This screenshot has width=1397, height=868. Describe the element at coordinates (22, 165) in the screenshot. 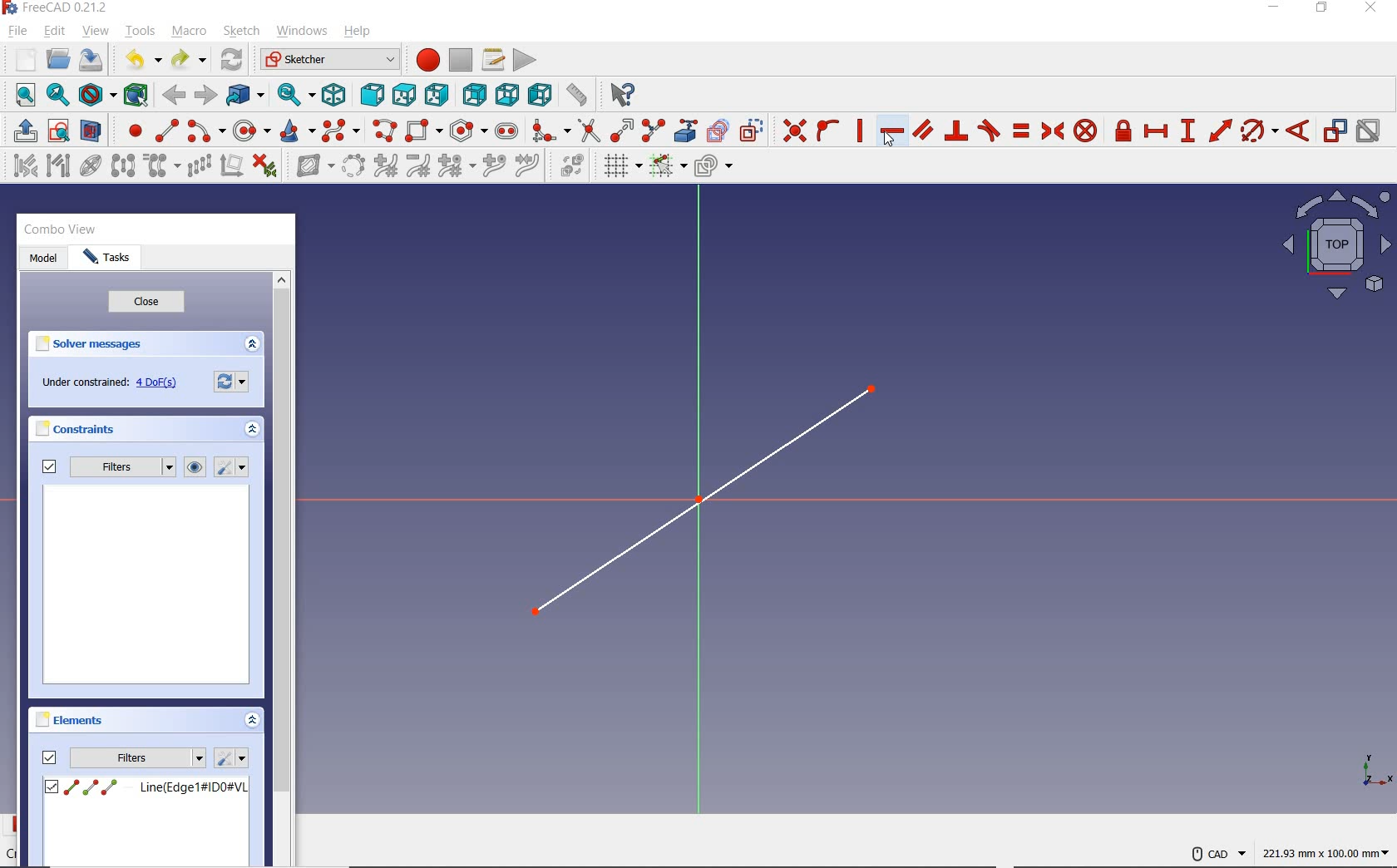

I see `SELECT ASSOCIATED CONSTRAINTS` at that location.